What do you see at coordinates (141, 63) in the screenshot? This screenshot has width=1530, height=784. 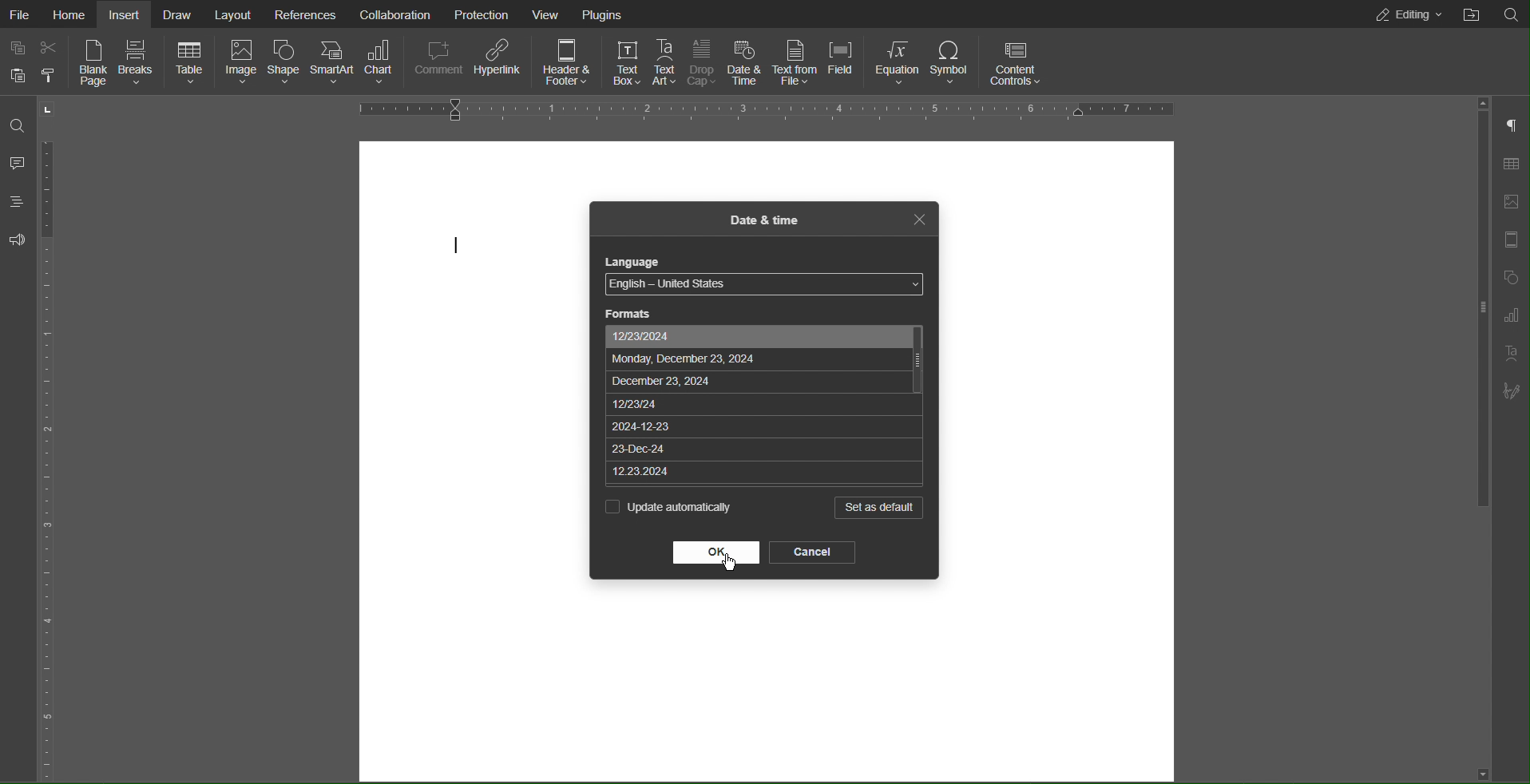 I see `Breaks` at bounding box center [141, 63].